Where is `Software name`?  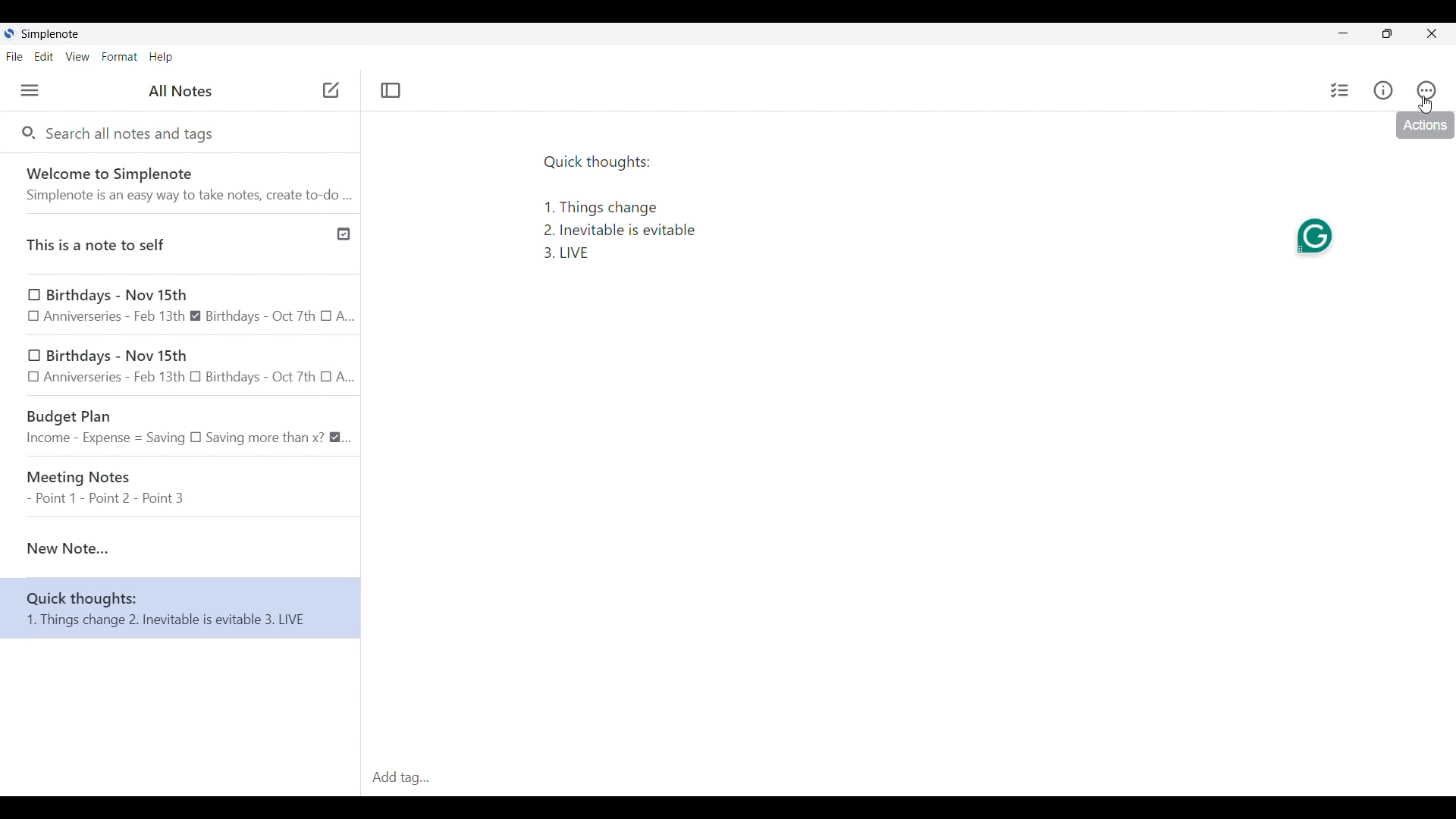
Software name is located at coordinates (51, 34).